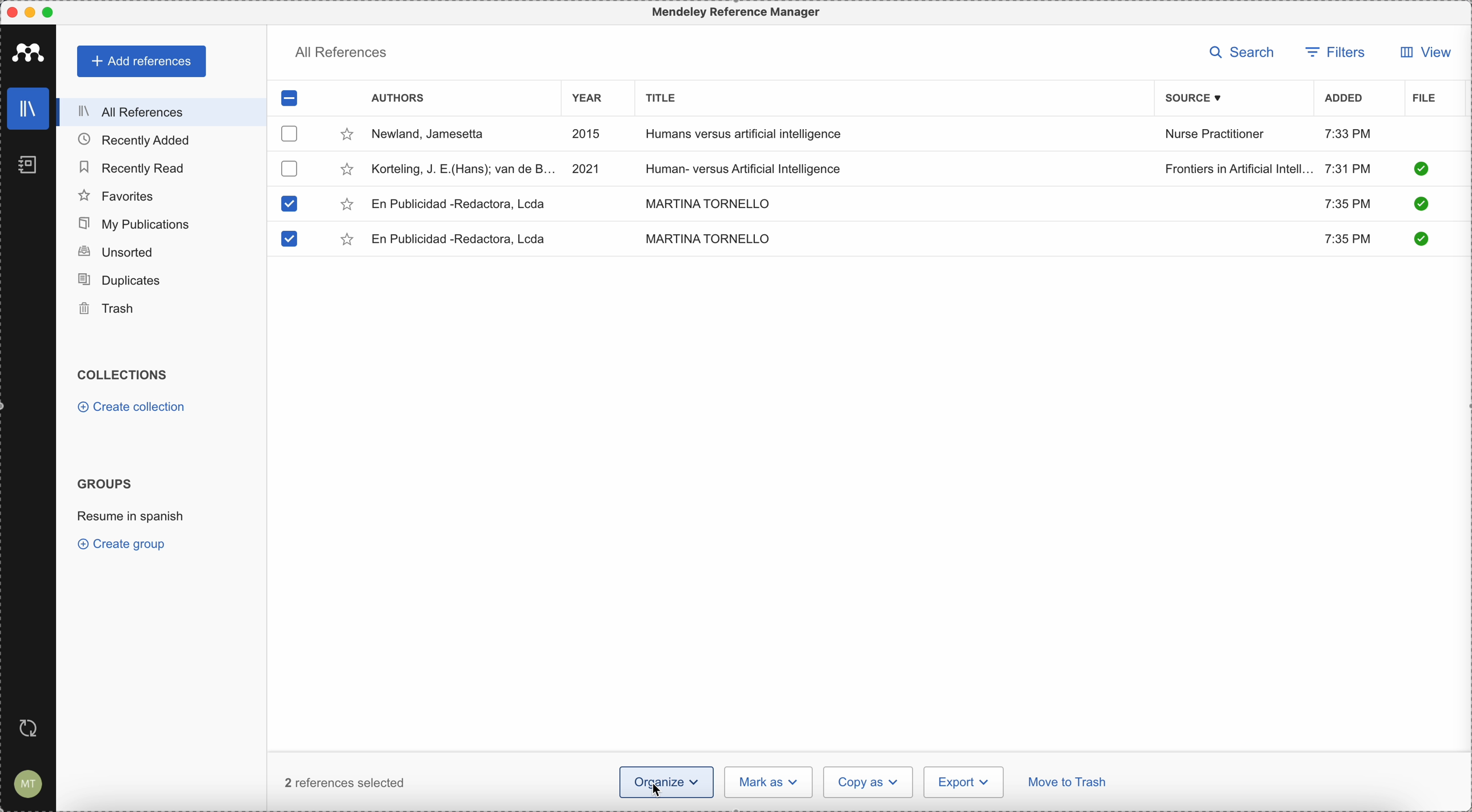  Describe the element at coordinates (1350, 240) in the screenshot. I see `7:35 PM` at that location.